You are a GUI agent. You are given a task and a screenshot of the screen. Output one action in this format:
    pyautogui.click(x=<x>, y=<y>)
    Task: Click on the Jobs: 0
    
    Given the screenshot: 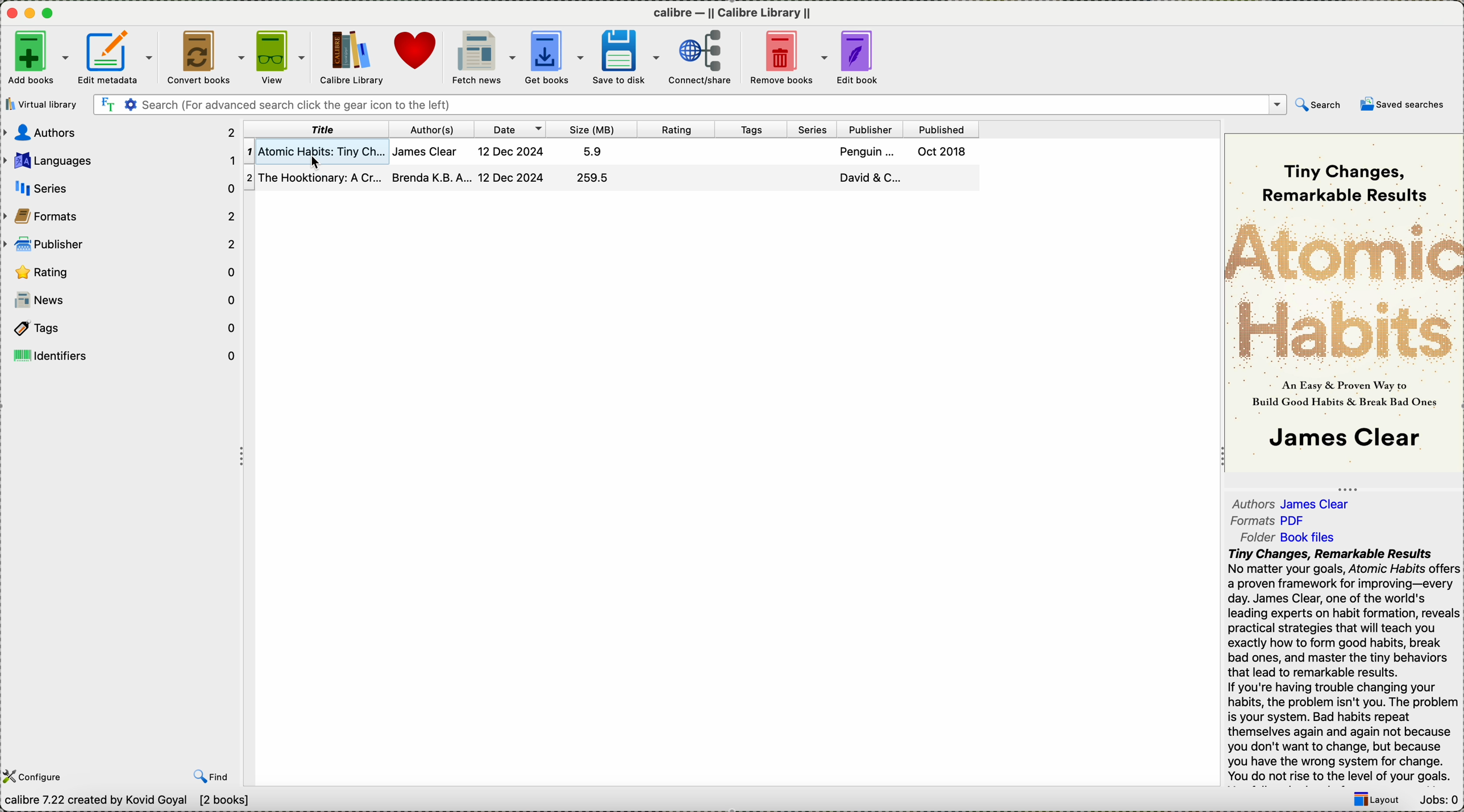 What is the action you would take?
    pyautogui.click(x=1442, y=801)
    